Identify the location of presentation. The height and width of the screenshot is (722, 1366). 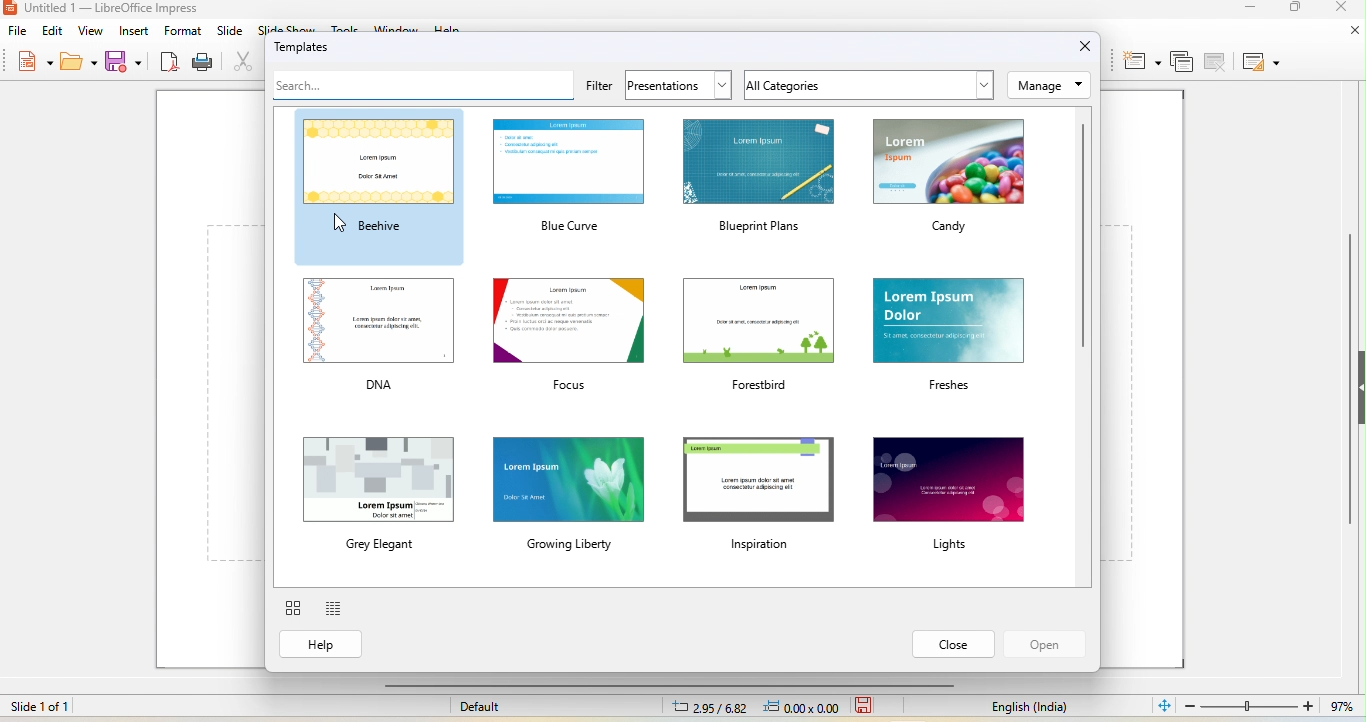
(677, 85).